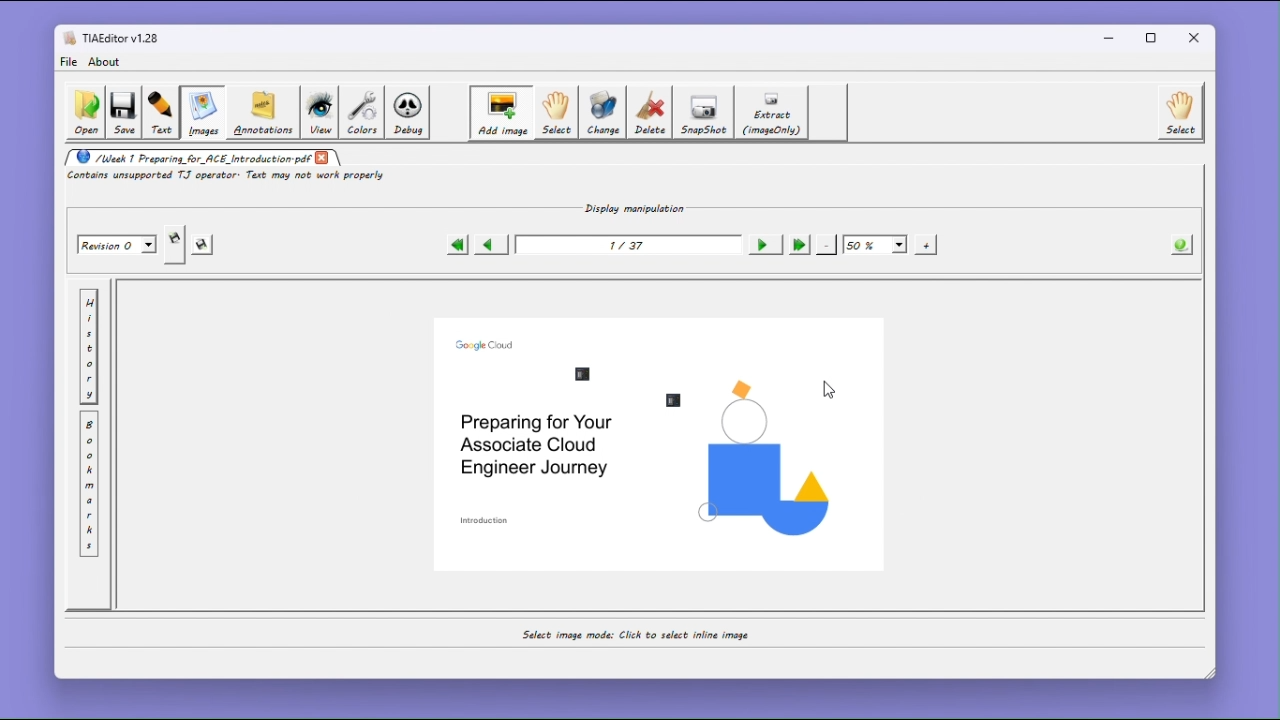 The image size is (1280, 720). What do you see at coordinates (188, 157) in the screenshot?
I see `/Week 1 Preparing_for_ACE_Introduction.pdf` at bounding box center [188, 157].